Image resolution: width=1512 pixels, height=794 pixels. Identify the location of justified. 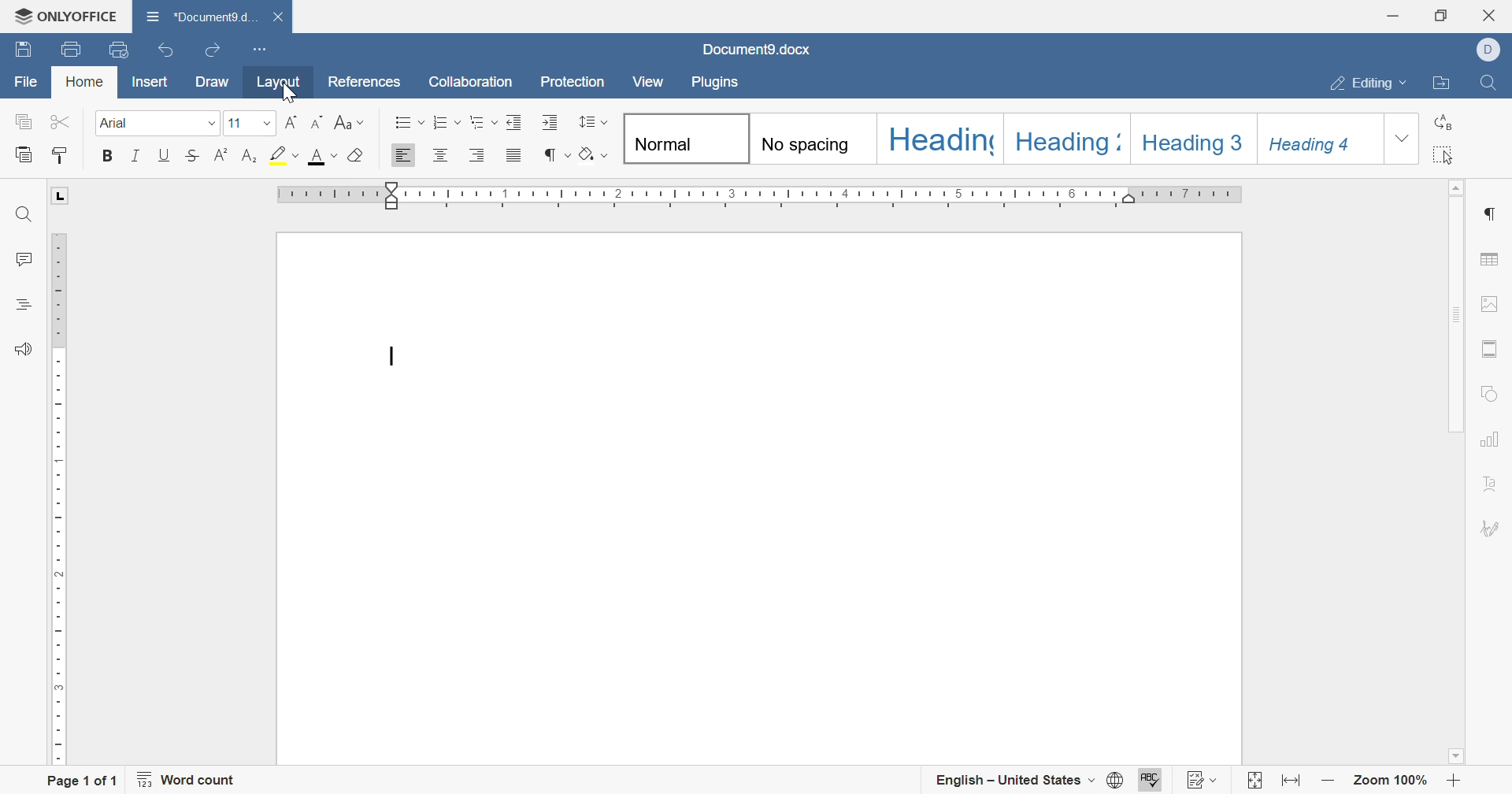
(513, 153).